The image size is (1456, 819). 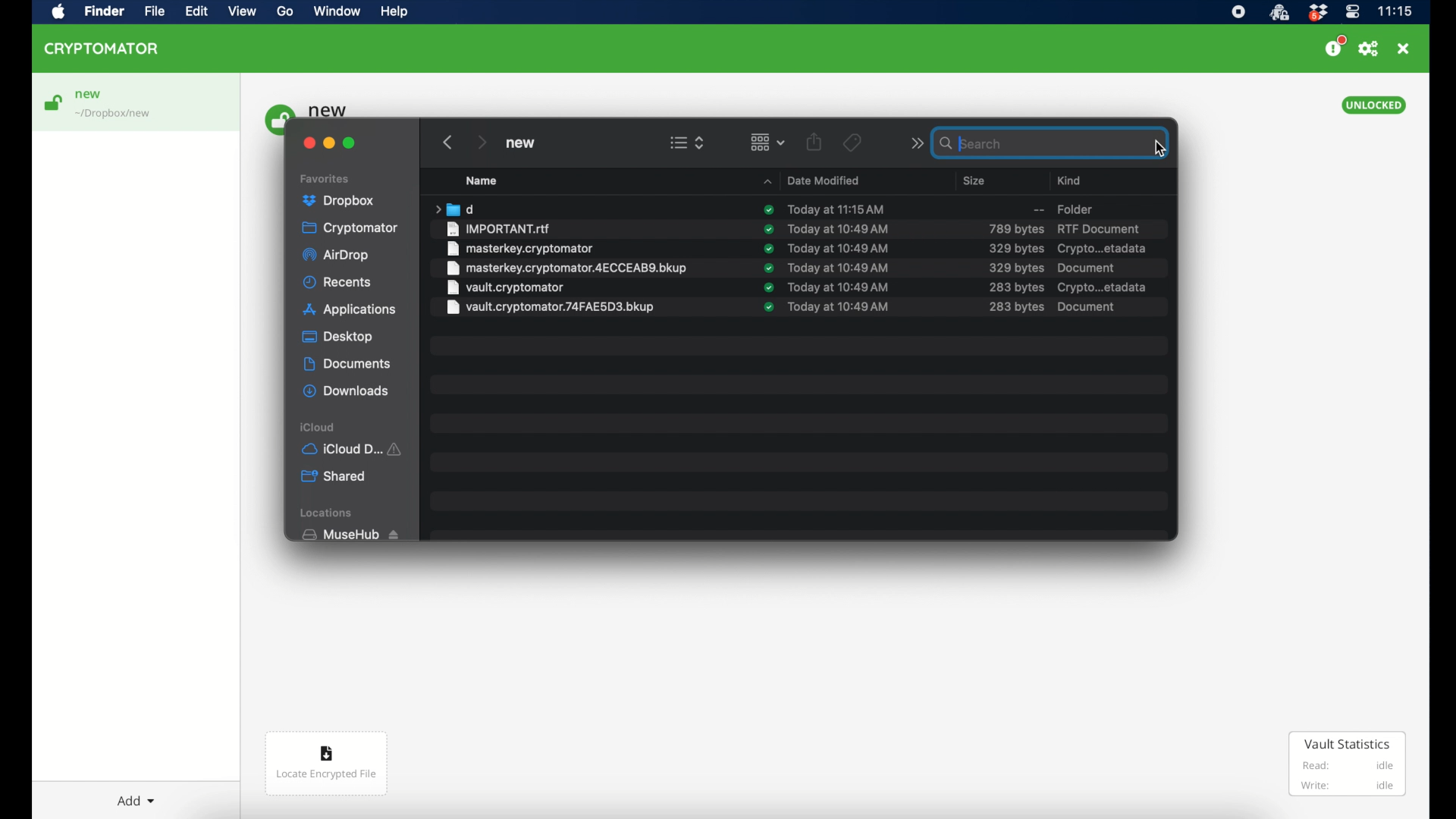 I want to click on iCloud, so click(x=318, y=428).